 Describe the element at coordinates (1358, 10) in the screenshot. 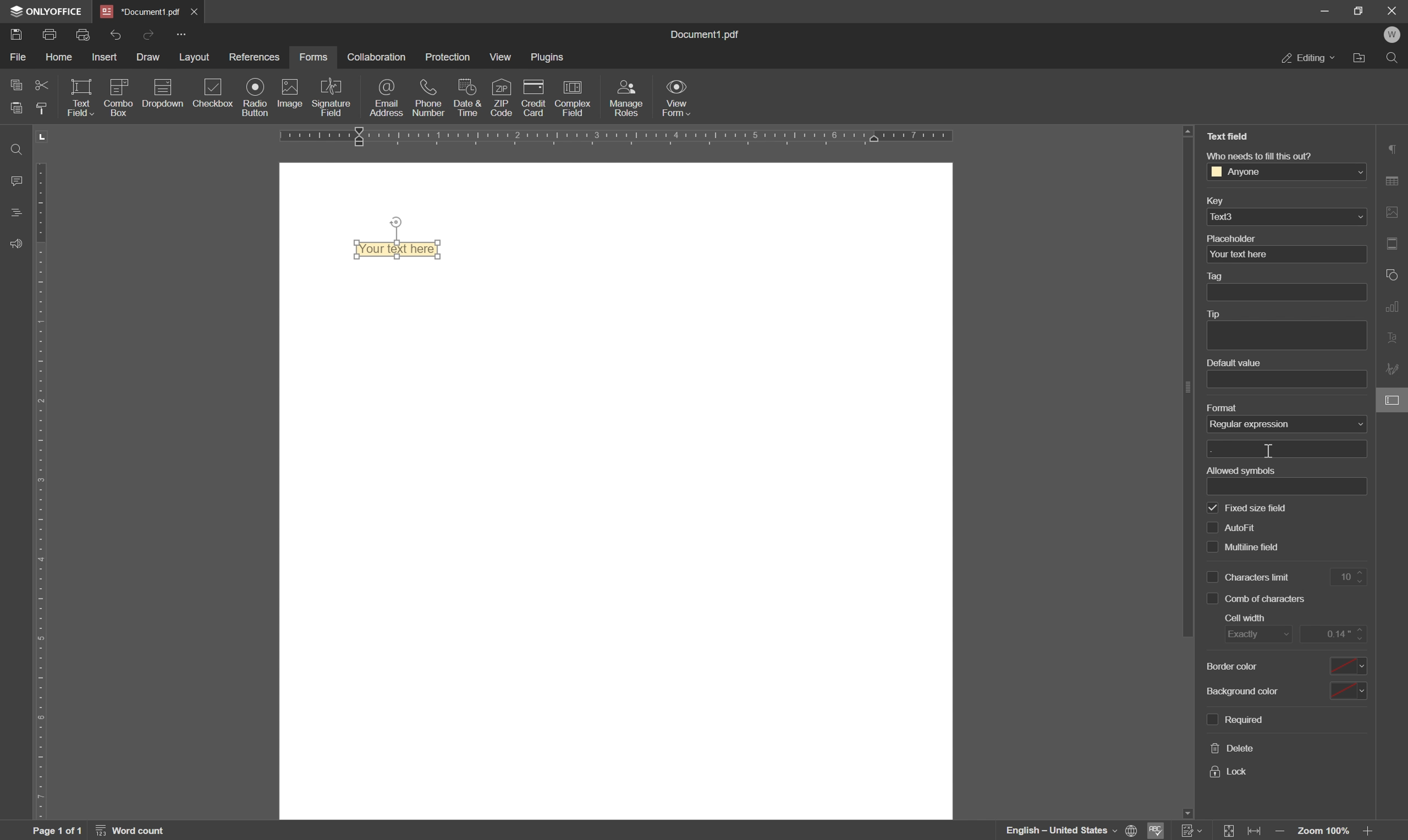

I see `restore down` at that location.